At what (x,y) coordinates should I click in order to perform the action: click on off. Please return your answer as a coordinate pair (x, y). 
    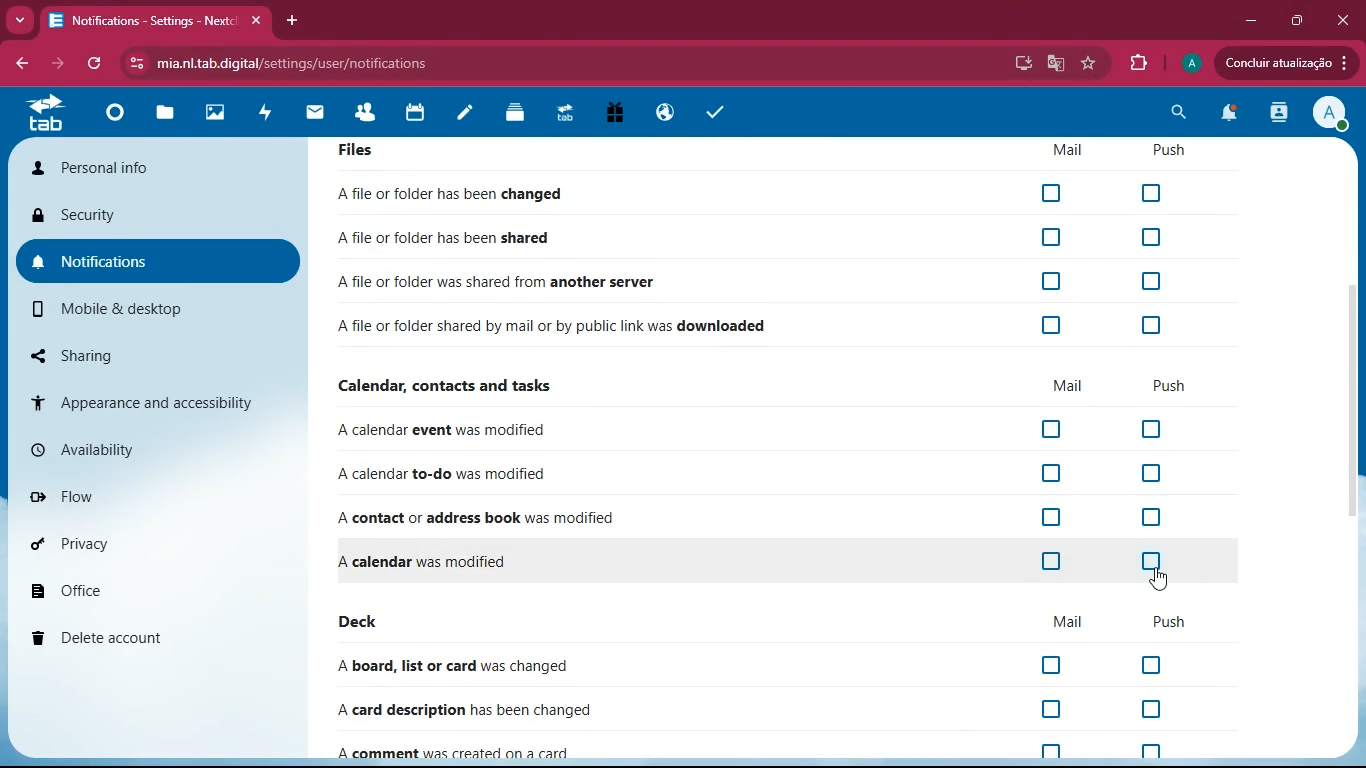
    Looking at the image, I should click on (1155, 561).